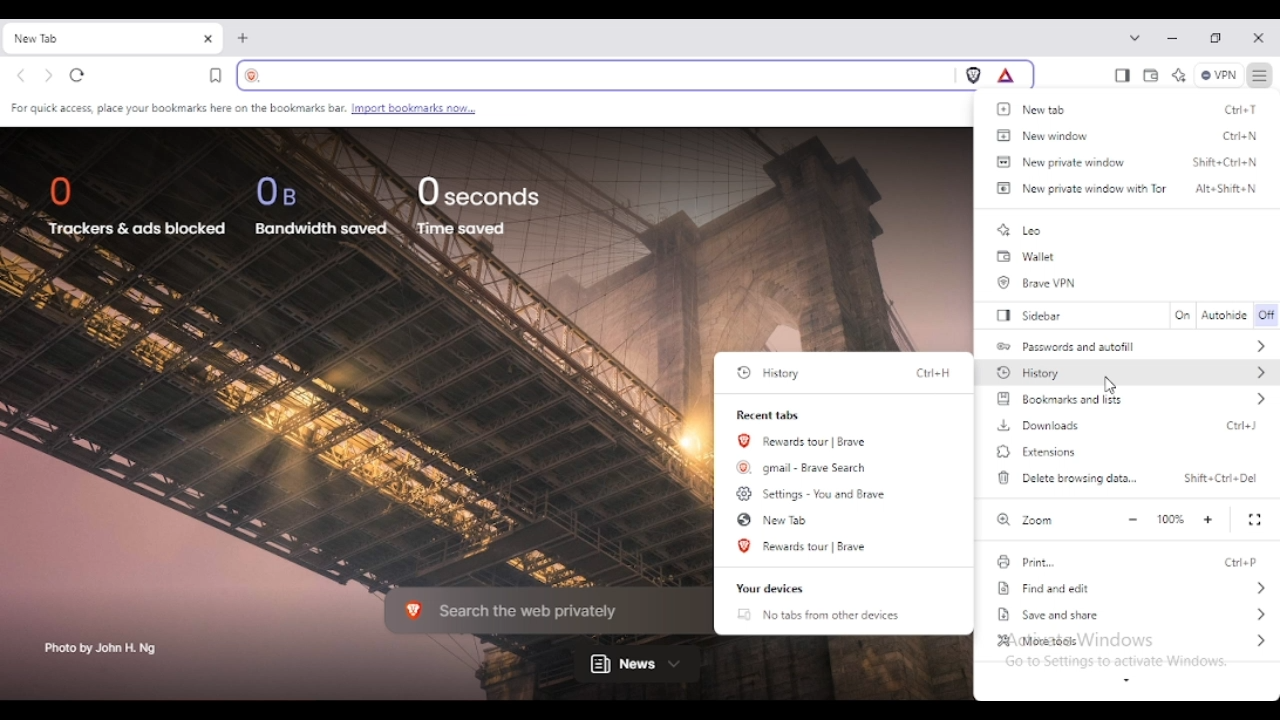 The width and height of the screenshot is (1280, 720). What do you see at coordinates (1040, 283) in the screenshot?
I see `brave VPN` at bounding box center [1040, 283].